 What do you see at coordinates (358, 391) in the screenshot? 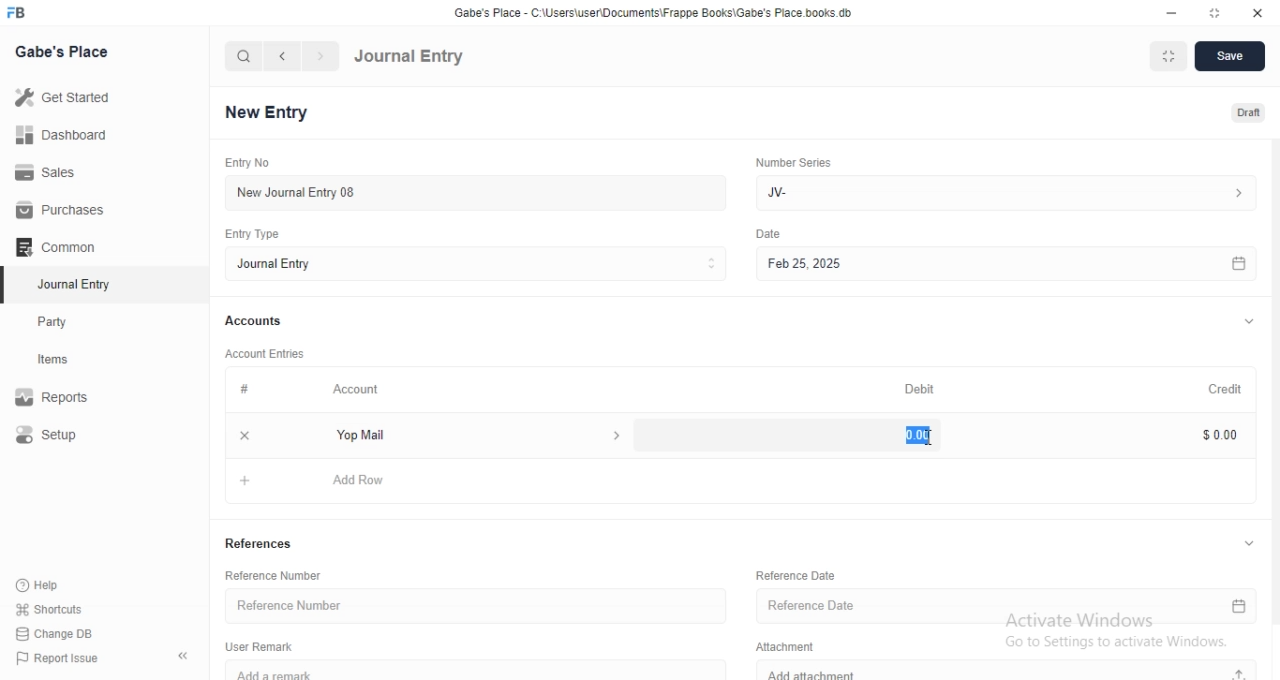
I see `Account` at bounding box center [358, 391].